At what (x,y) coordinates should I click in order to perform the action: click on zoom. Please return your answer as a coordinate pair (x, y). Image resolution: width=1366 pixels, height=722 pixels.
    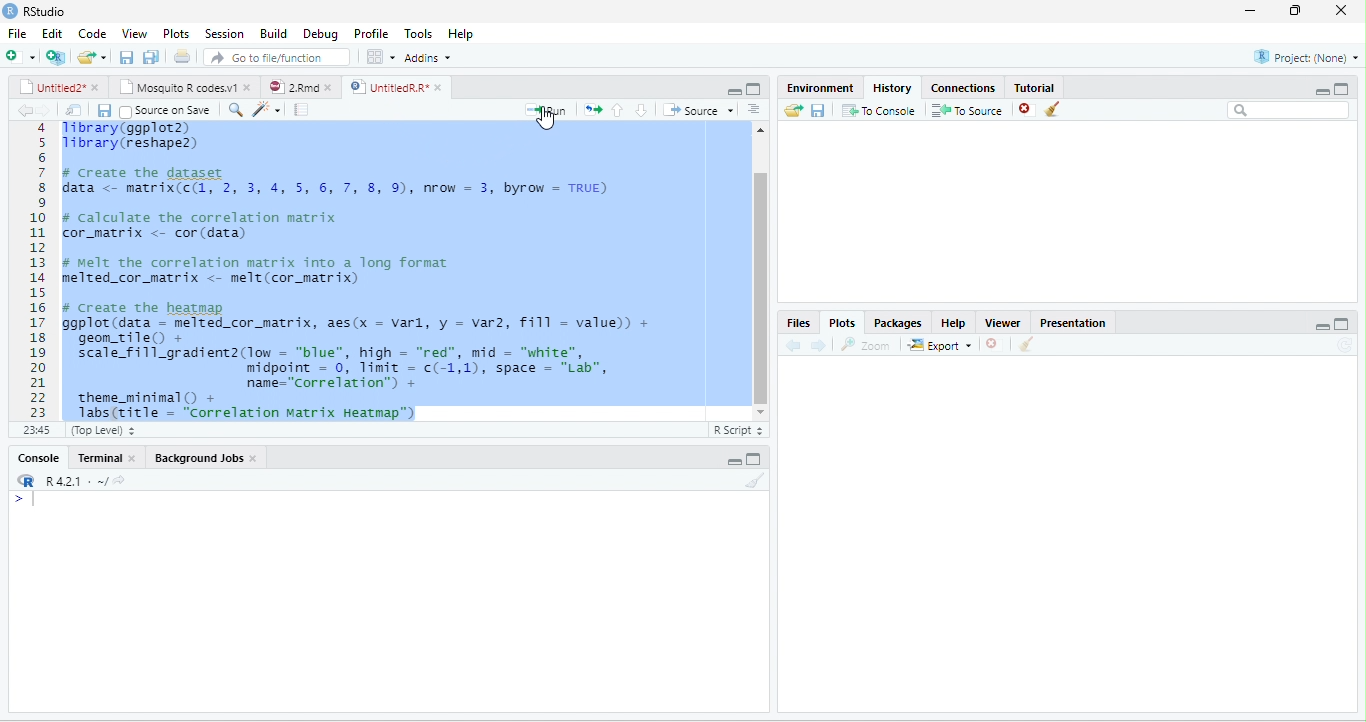
    Looking at the image, I should click on (869, 345).